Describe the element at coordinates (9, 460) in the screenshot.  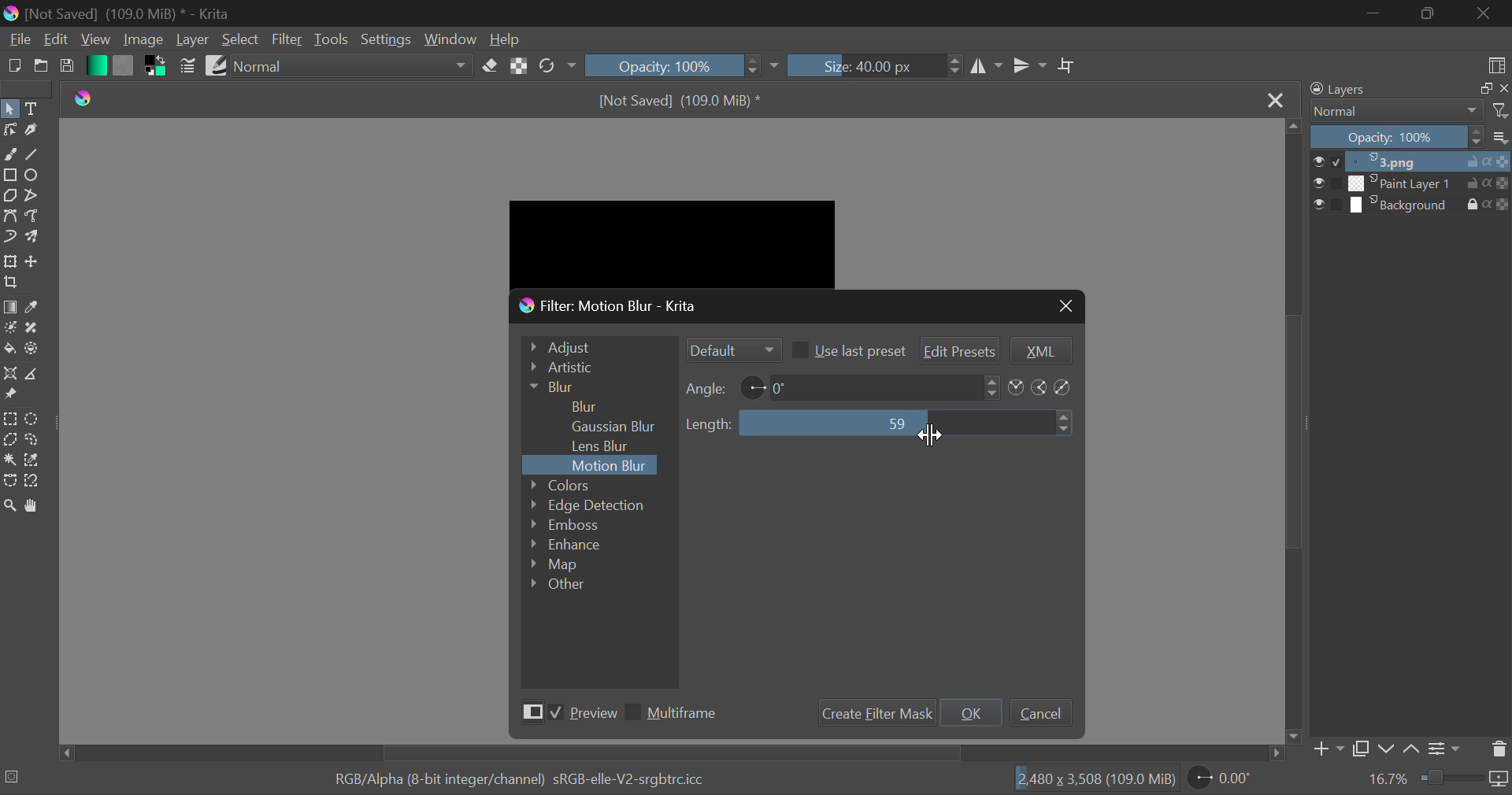
I see `Continuous Selection Tool` at that location.